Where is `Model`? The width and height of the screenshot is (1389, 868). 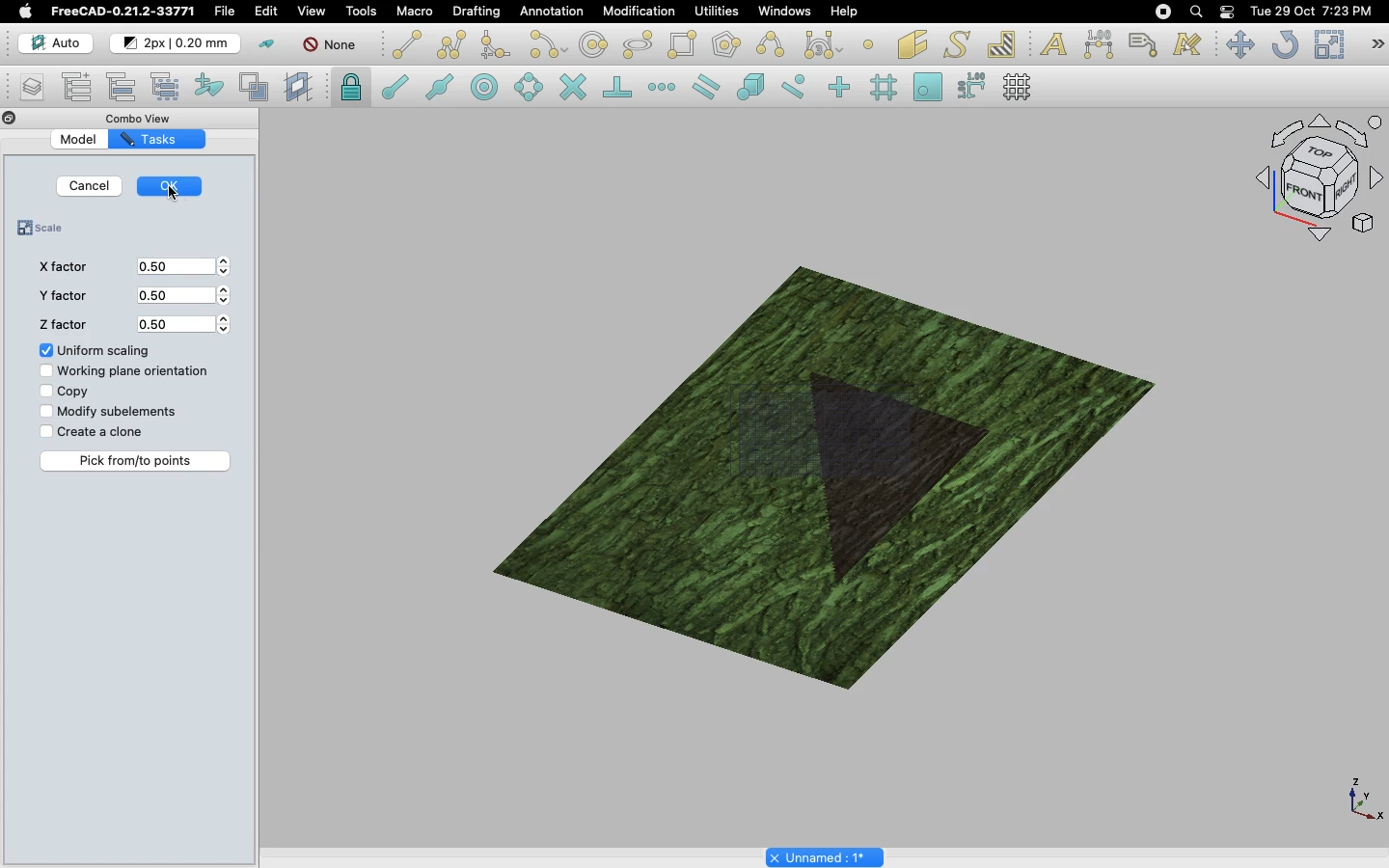 Model is located at coordinates (80, 140).